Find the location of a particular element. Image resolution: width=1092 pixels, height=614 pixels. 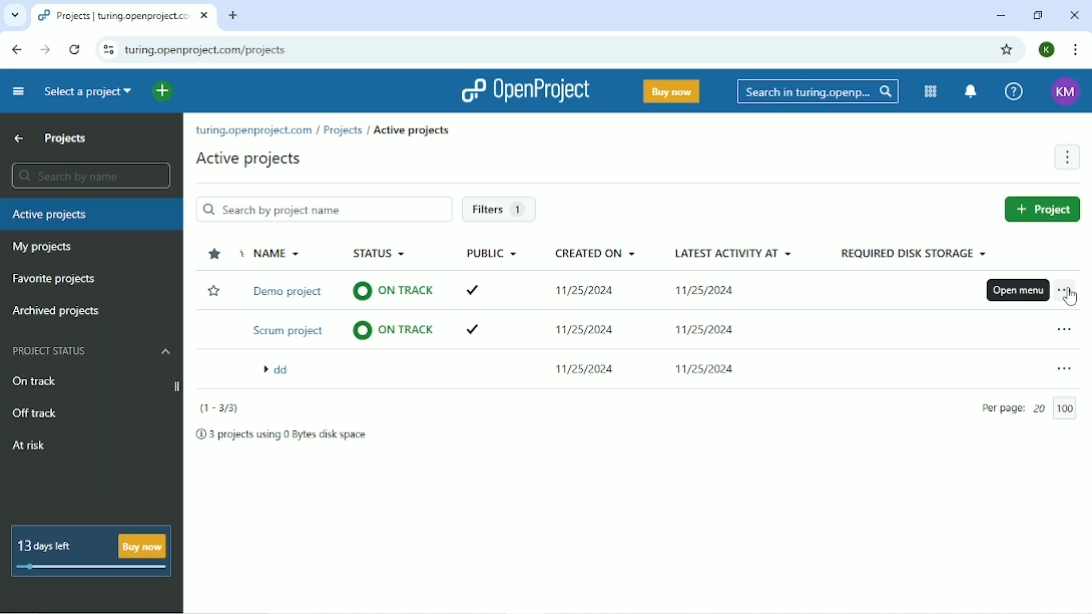

11/25/2024 is located at coordinates (583, 292).